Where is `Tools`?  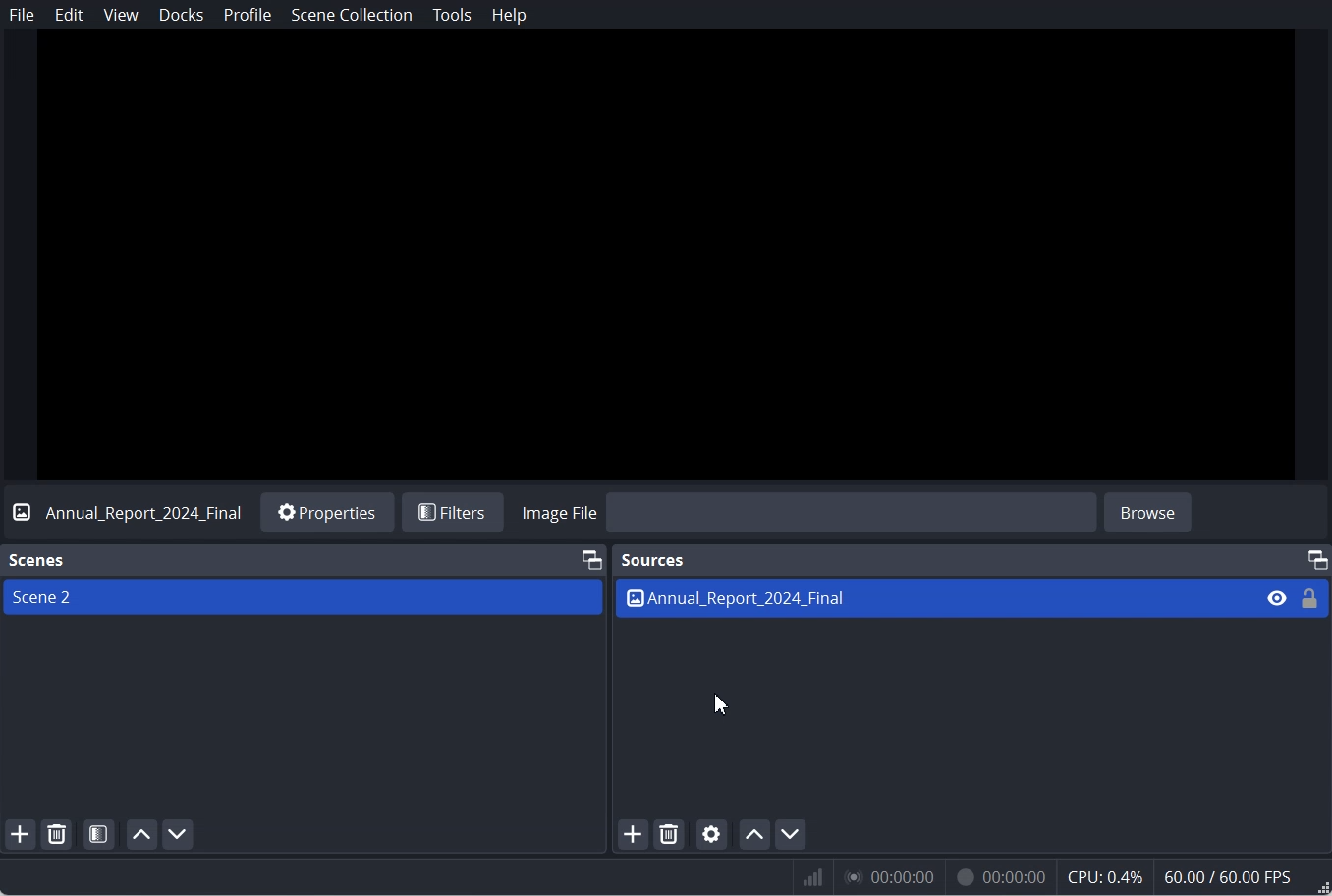 Tools is located at coordinates (453, 16).